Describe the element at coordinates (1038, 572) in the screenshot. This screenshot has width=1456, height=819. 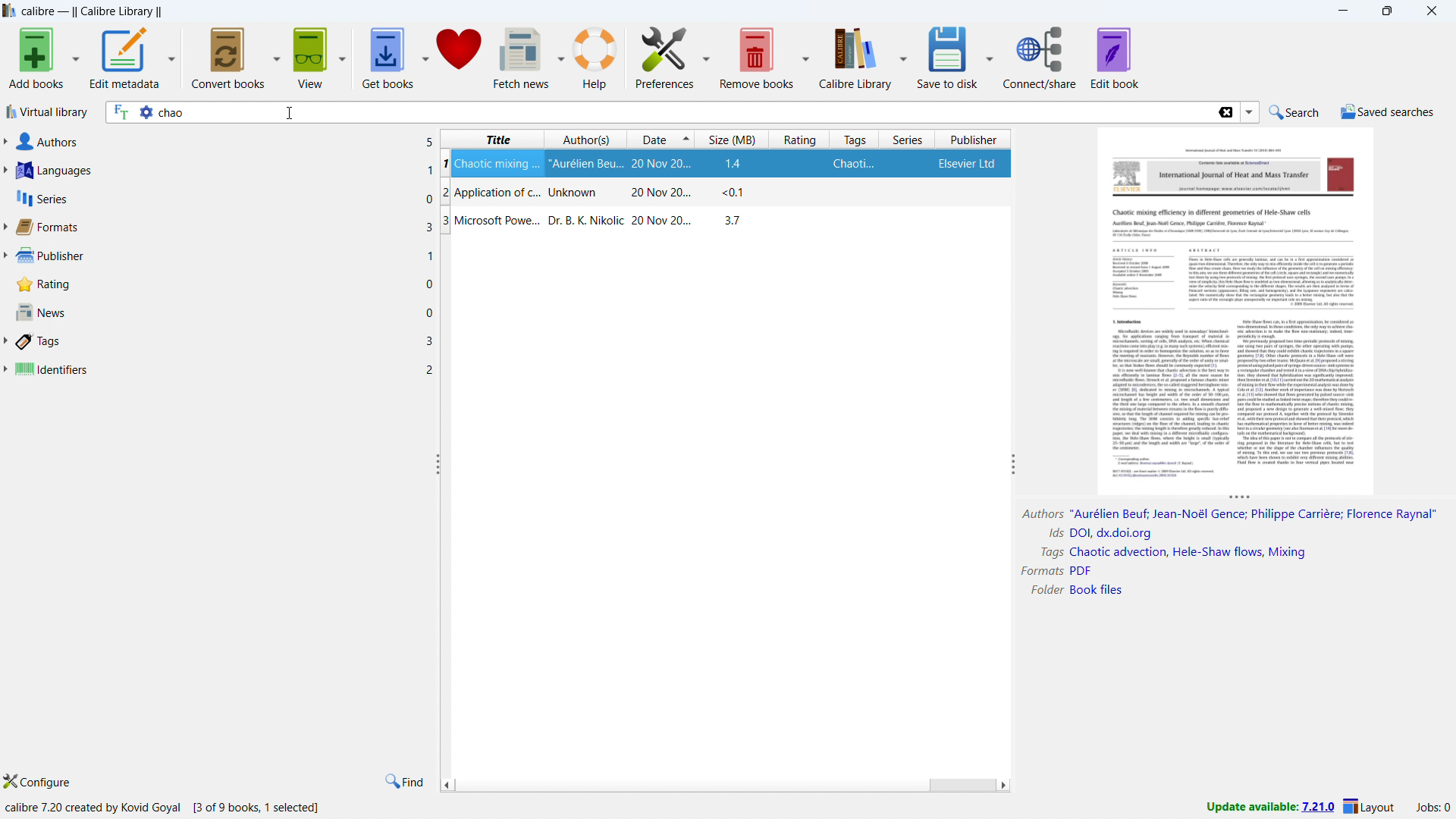
I see `Formats` at that location.